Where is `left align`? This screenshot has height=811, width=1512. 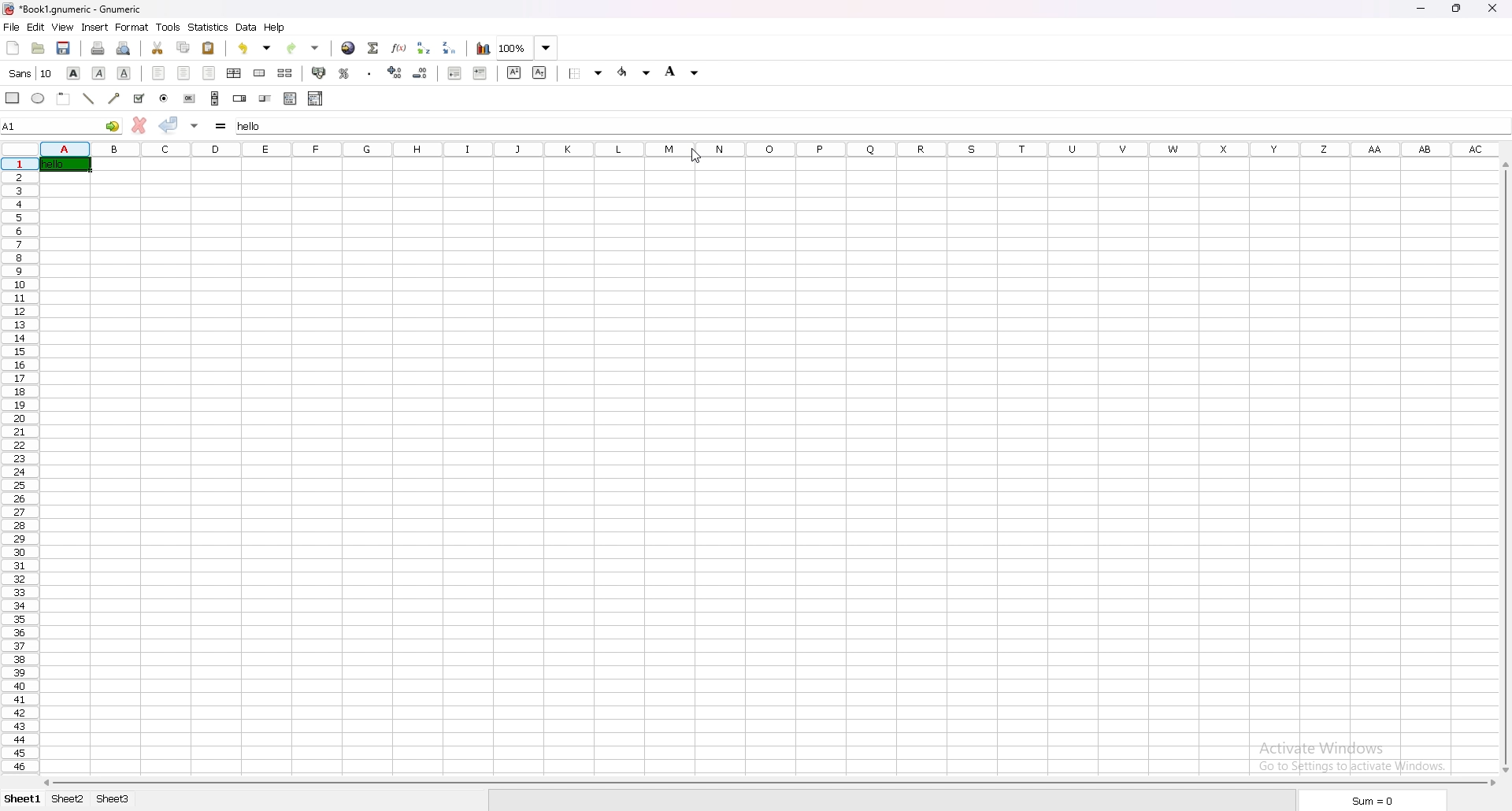
left align is located at coordinates (161, 72).